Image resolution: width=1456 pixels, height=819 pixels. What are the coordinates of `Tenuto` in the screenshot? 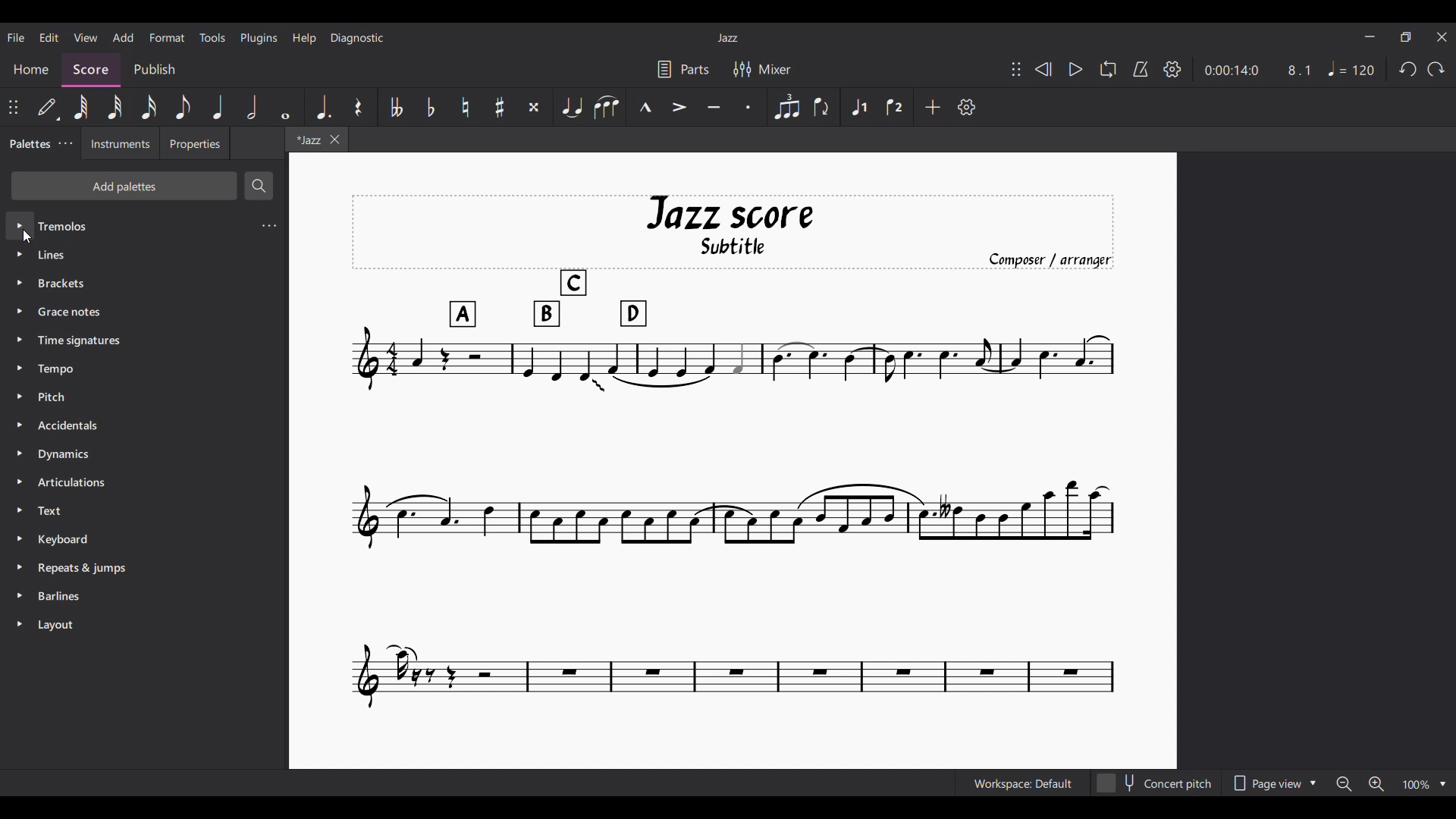 It's located at (714, 107).